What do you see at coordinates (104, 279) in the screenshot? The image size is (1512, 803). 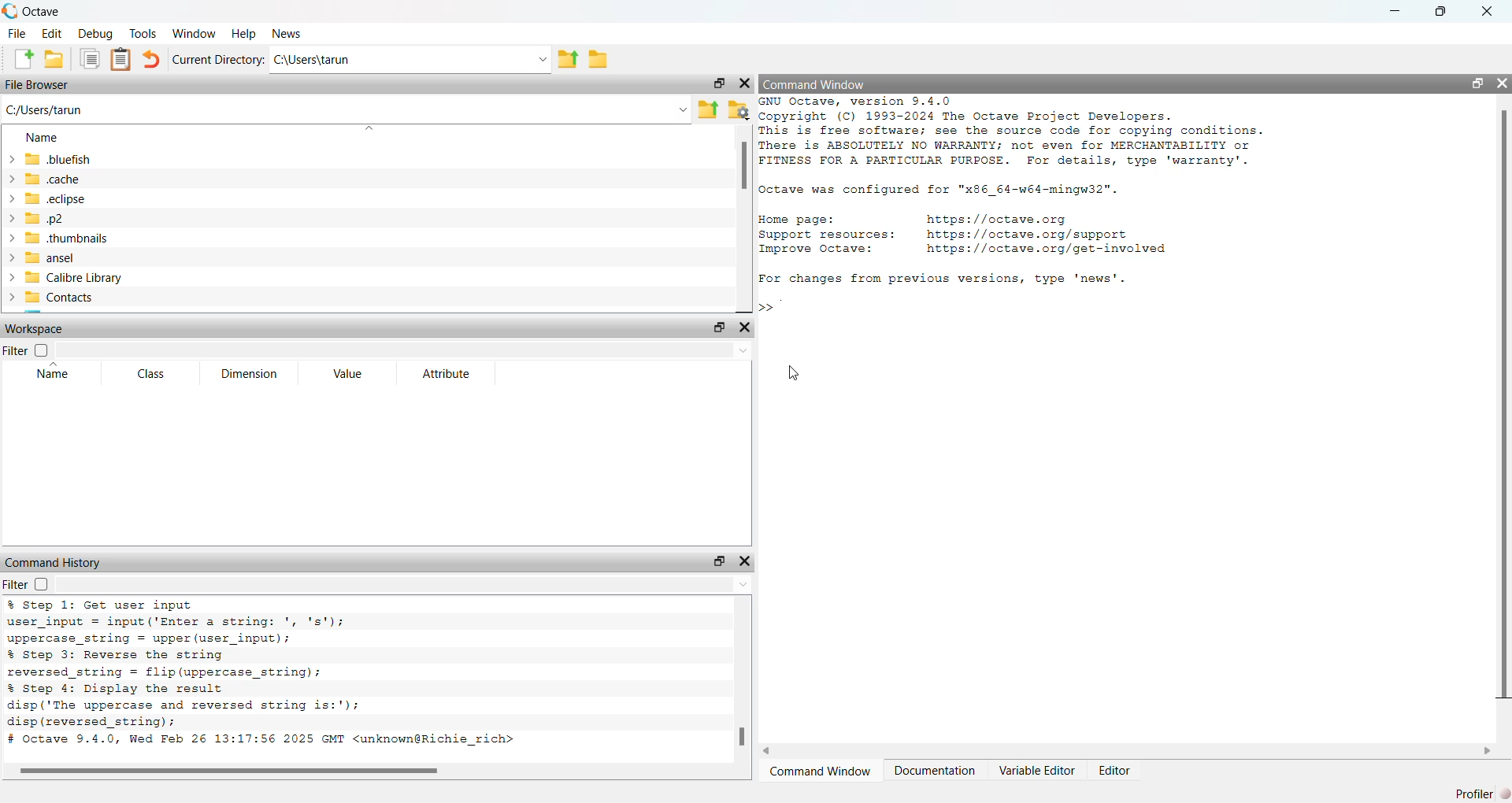 I see `calibre library` at bounding box center [104, 279].